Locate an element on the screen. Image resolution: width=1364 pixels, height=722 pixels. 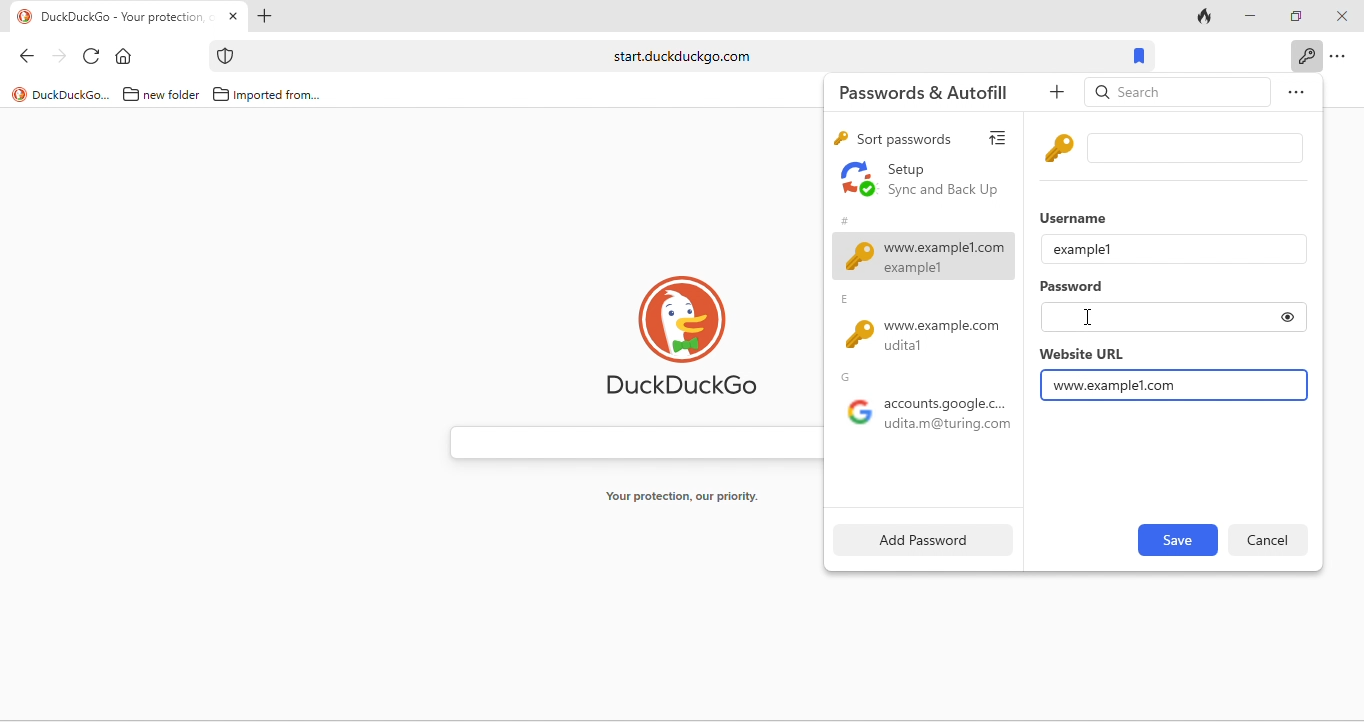
close is located at coordinates (1340, 17).